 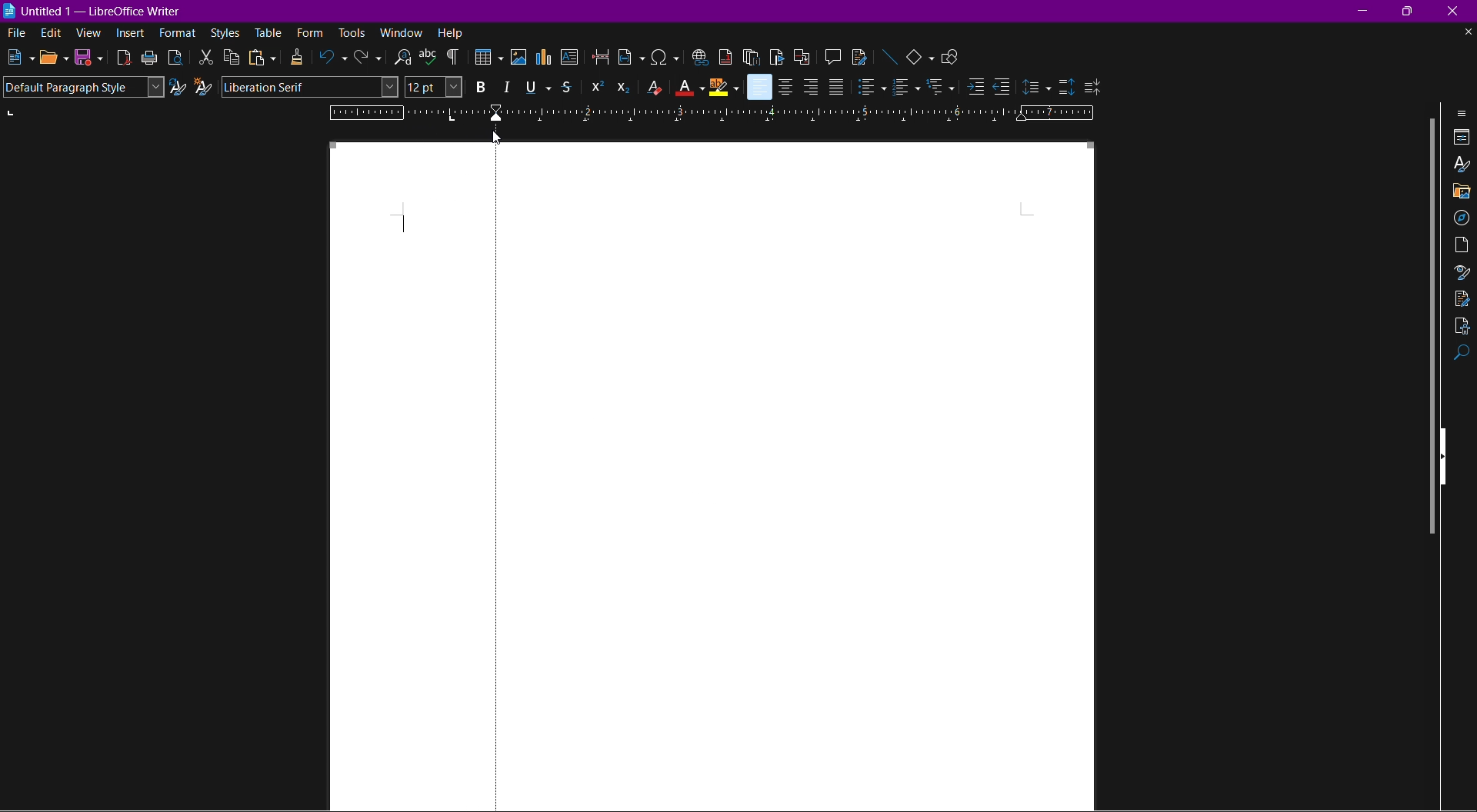 What do you see at coordinates (756, 478) in the screenshot?
I see `Page` at bounding box center [756, 478].